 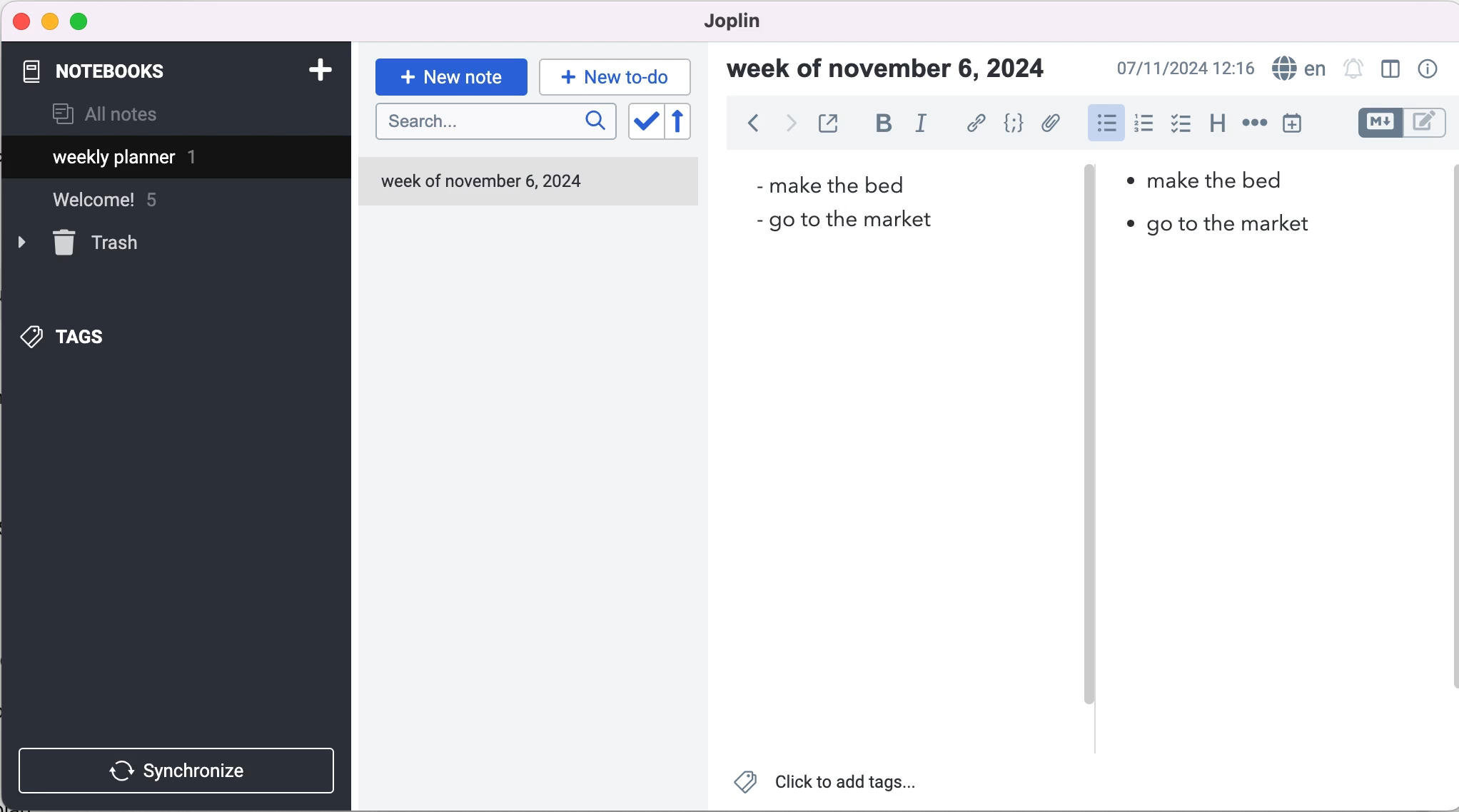 What do you see at coordinates (690, 124) in the screenshot?
I see `reverse sort order` at bounding box center [690, 124].